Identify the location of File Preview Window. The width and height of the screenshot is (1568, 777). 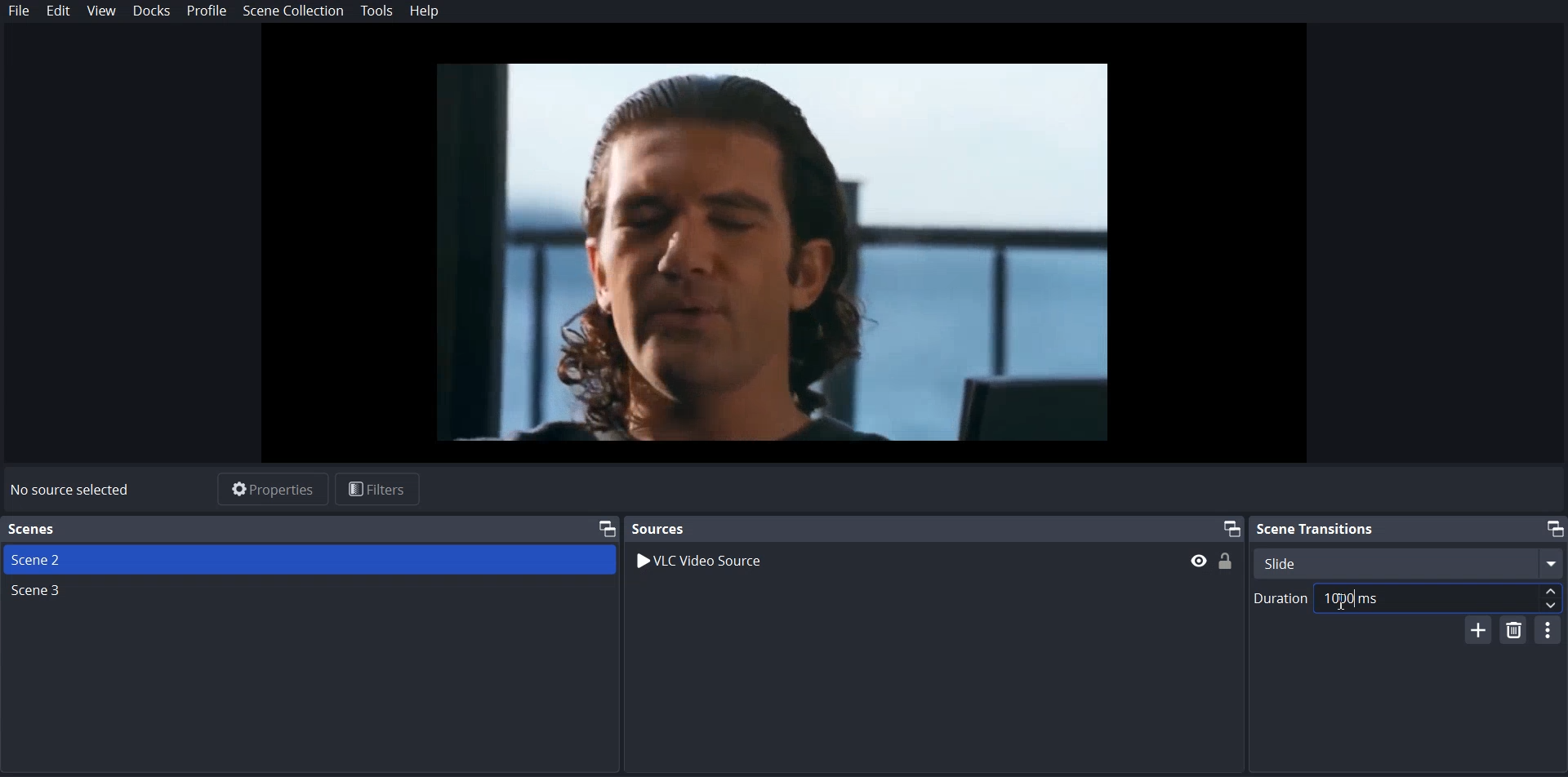
(769, 253).